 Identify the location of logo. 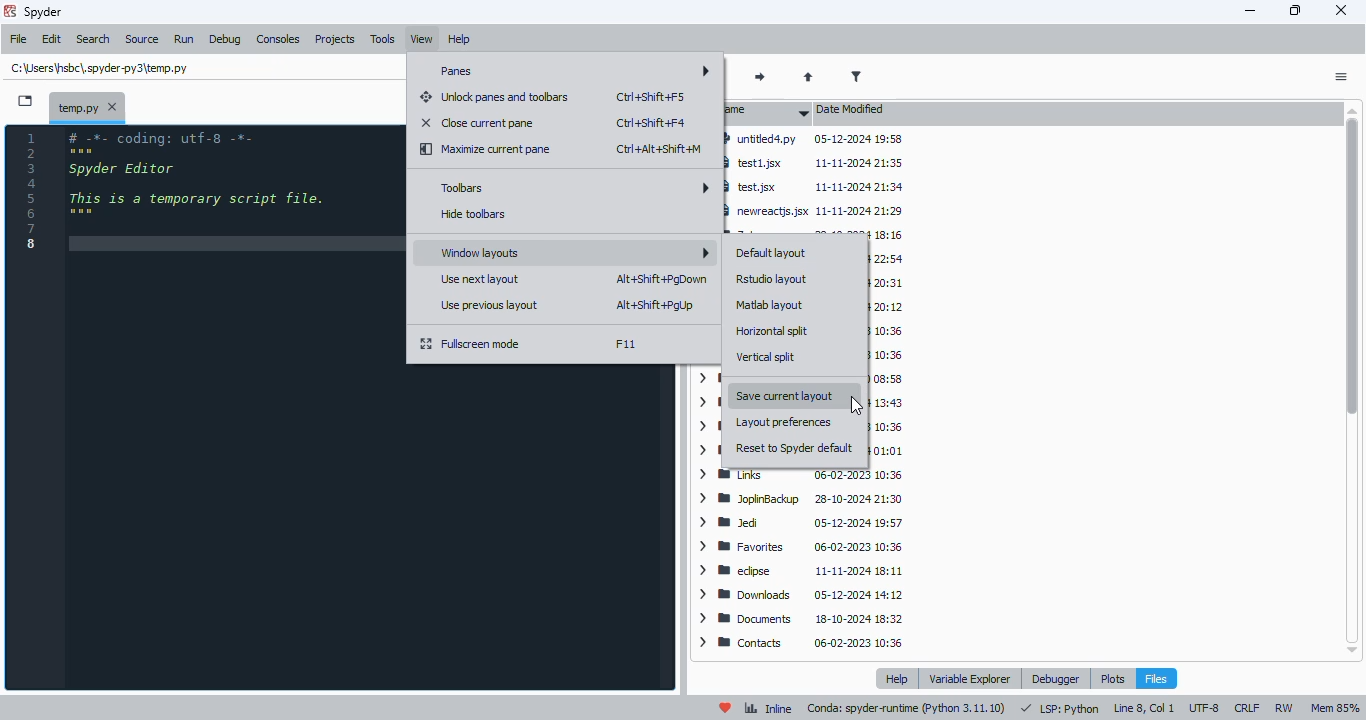
(9, 11).